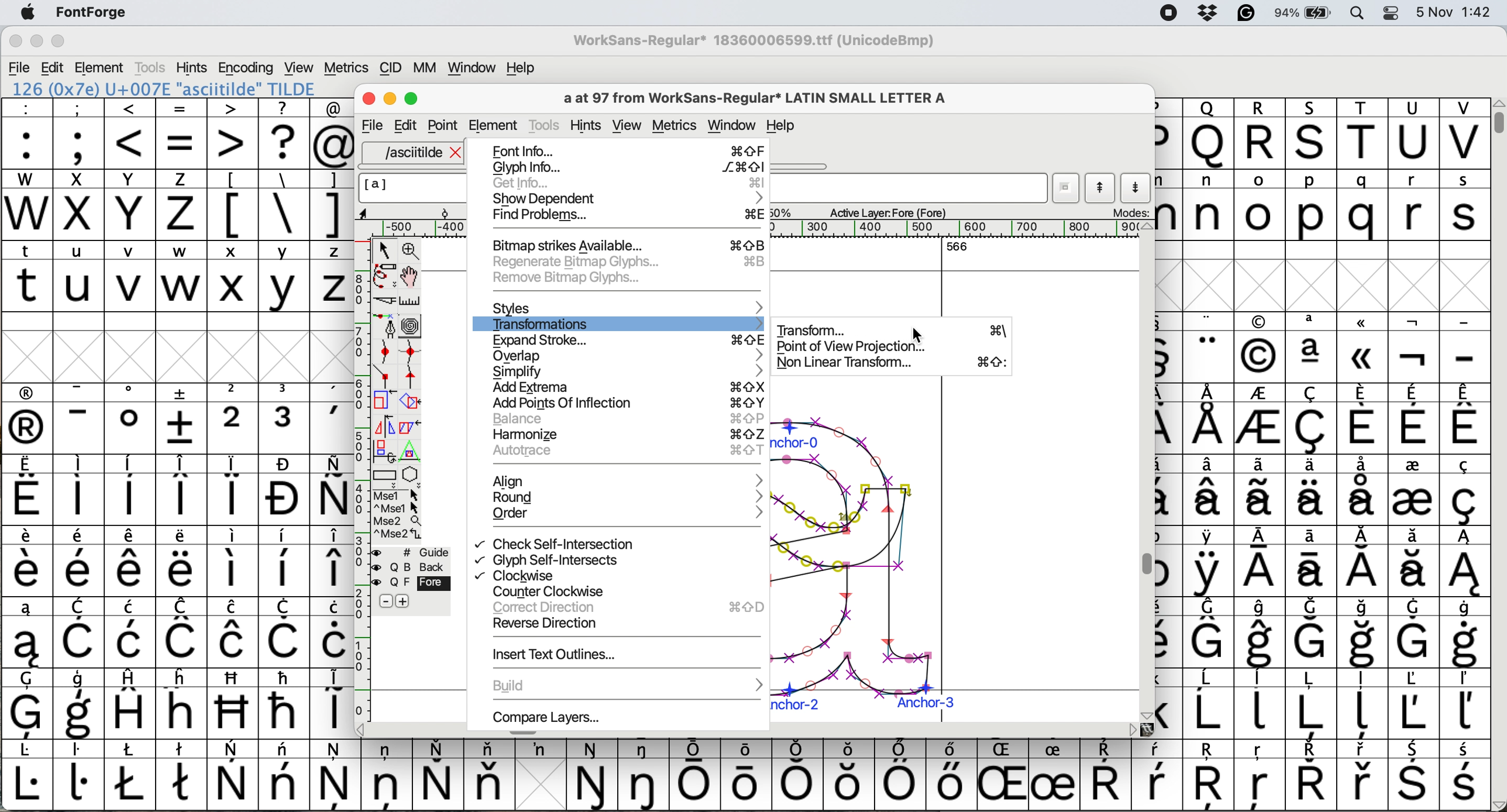 The image size is (1507, 812). Describe the element at coordinates (1211, 490) in the screenshot. I see `symbol` at that location.